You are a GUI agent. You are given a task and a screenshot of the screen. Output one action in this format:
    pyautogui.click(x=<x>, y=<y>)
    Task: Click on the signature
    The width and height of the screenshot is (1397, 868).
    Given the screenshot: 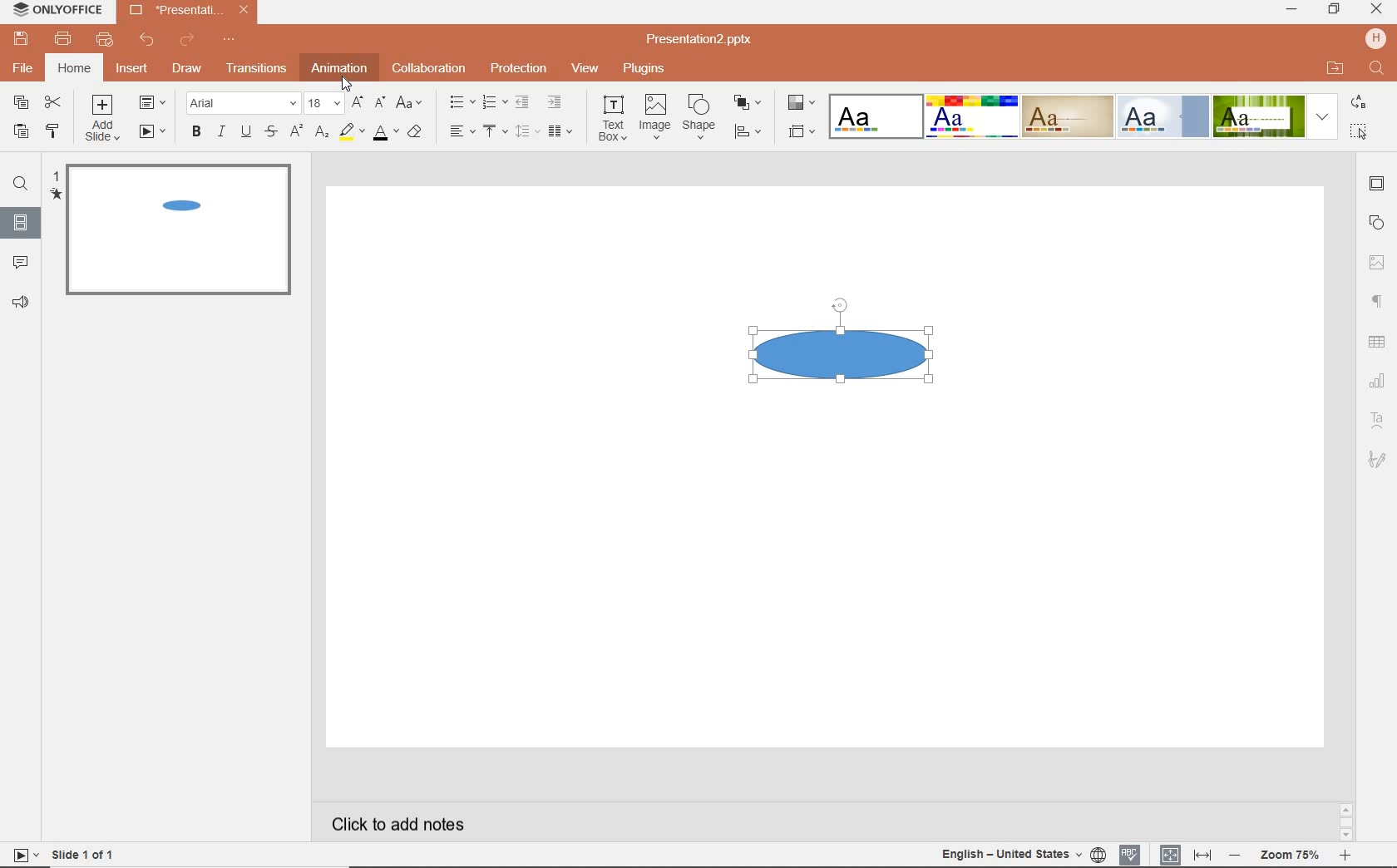 What is the action you would take?
    pyautogui.click(x=1379, y=460)
    